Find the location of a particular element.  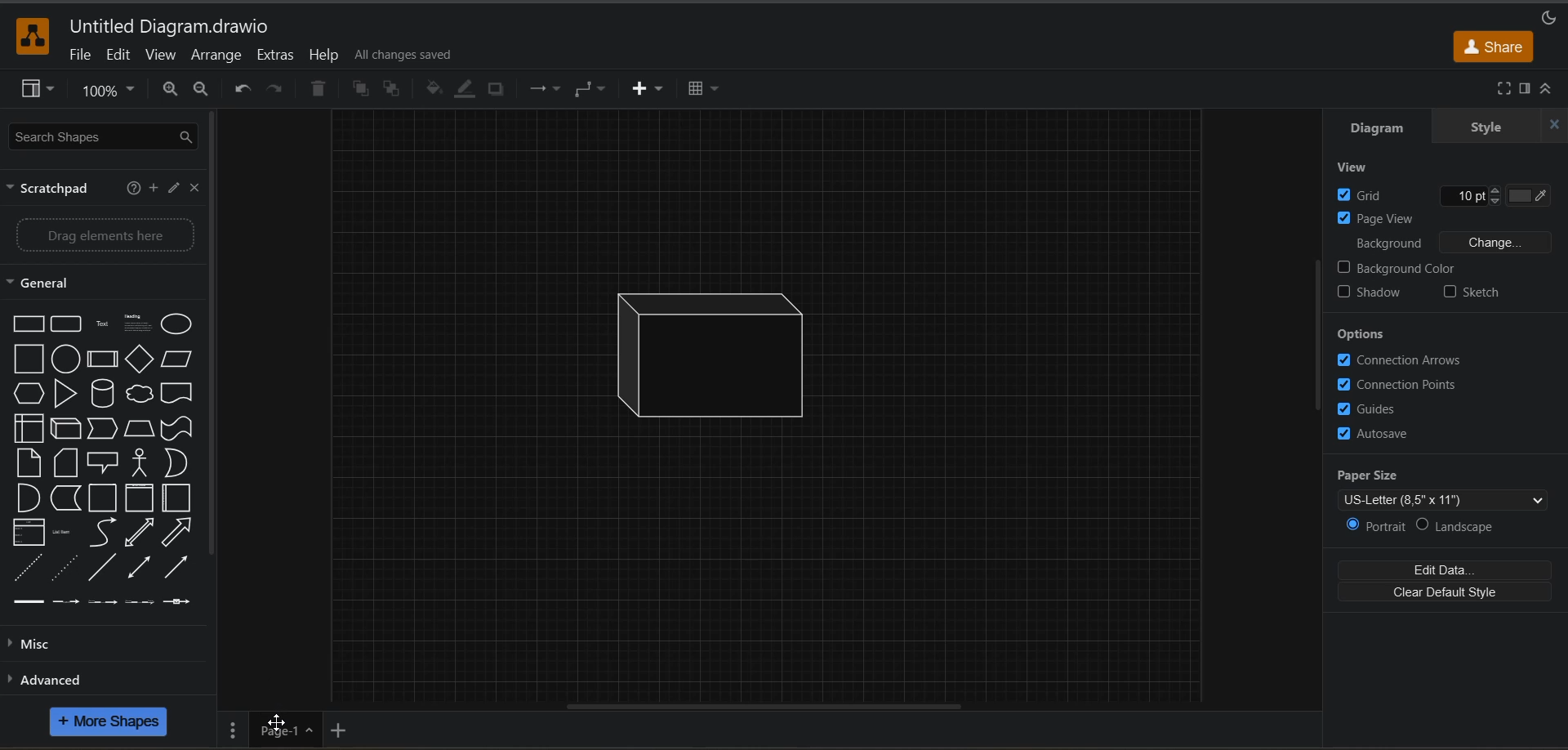

table is located at coordinates (704, 92).